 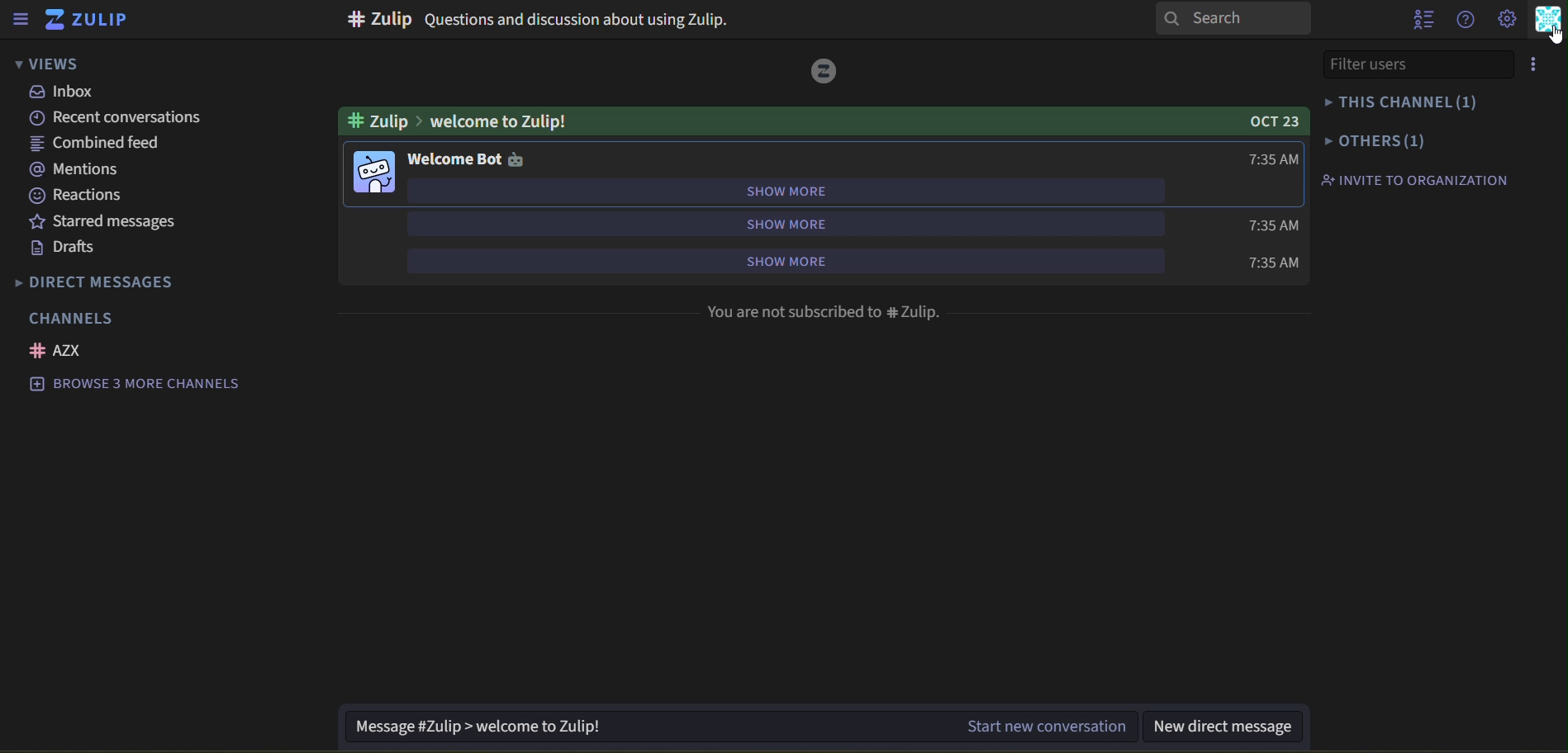 I want to click on direct messages, so click(x=103, y=282).